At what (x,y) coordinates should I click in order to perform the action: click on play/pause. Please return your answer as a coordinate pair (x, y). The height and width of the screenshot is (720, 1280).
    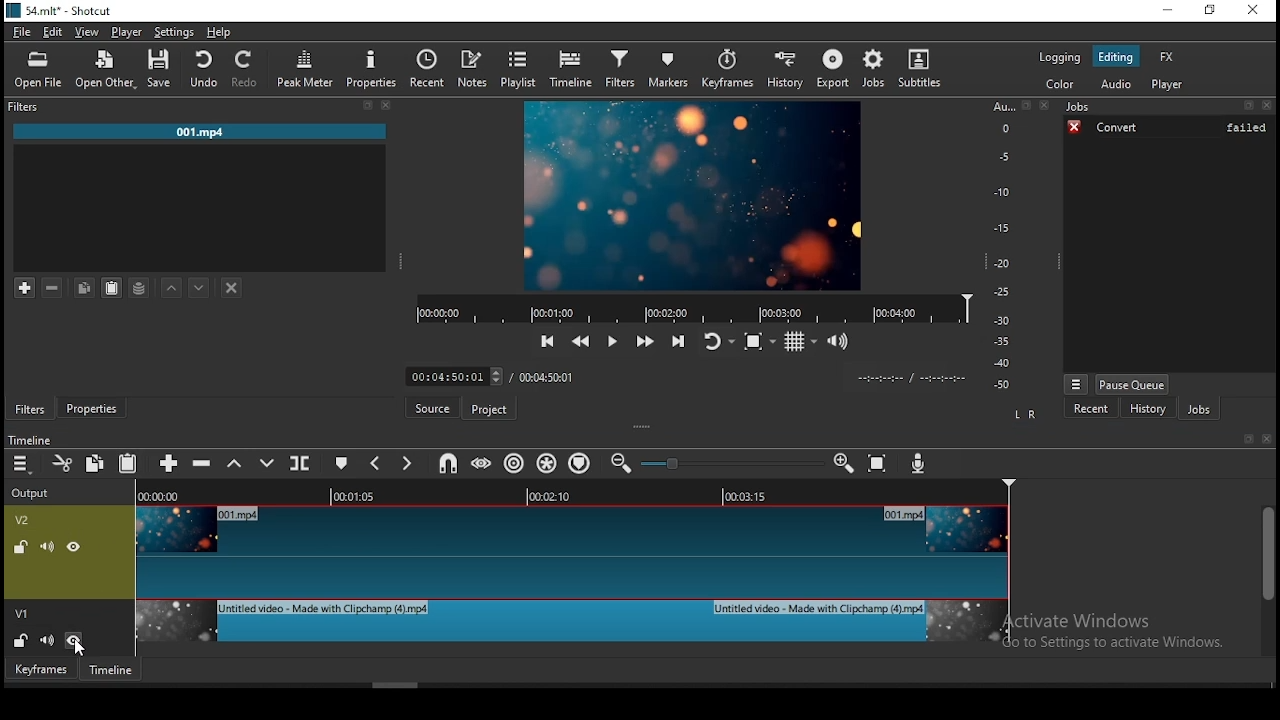
    Looking at the image, I should click on (613, 342).